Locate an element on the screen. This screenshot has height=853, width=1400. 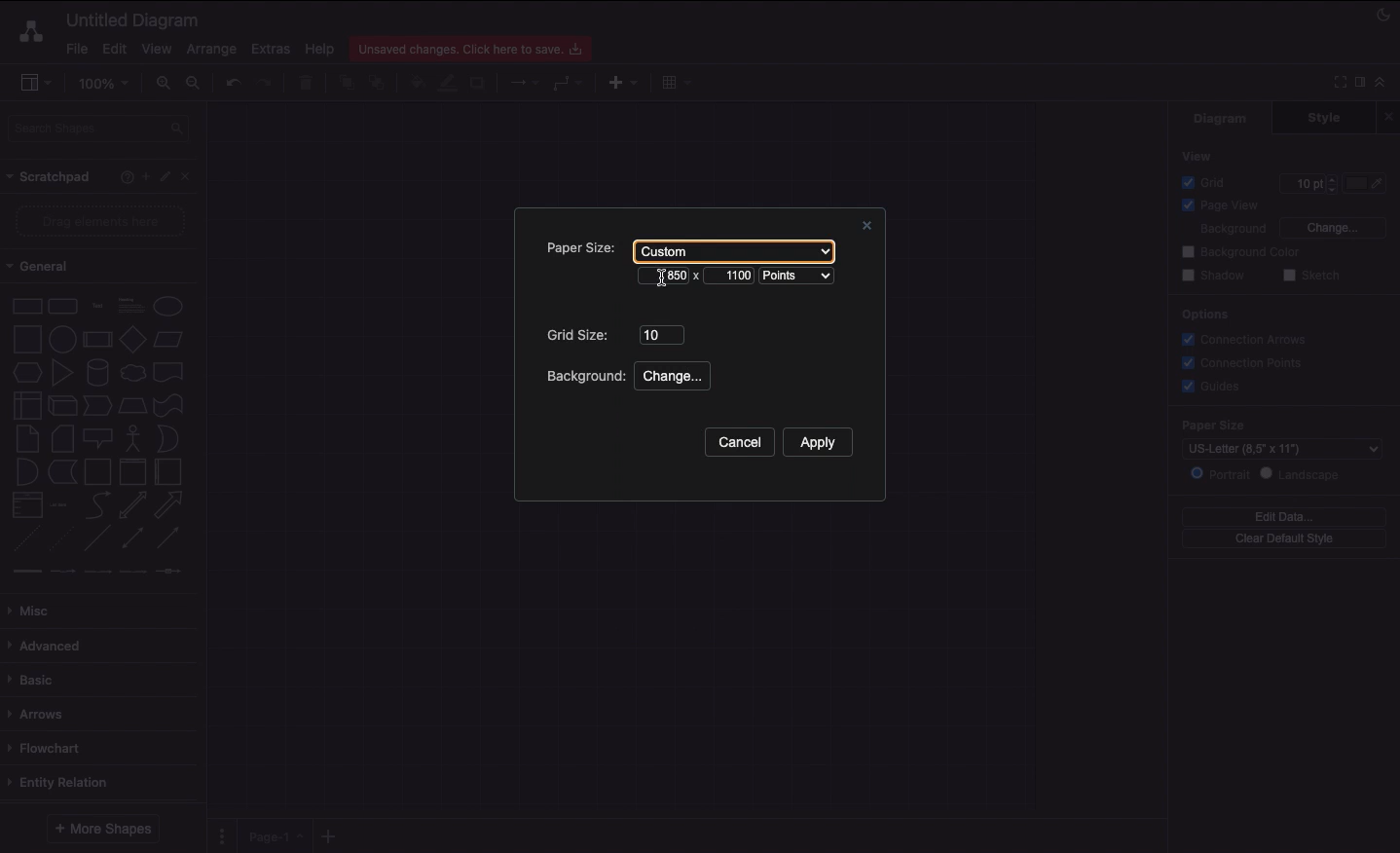
Paper size is located at coordinates (574, 247).